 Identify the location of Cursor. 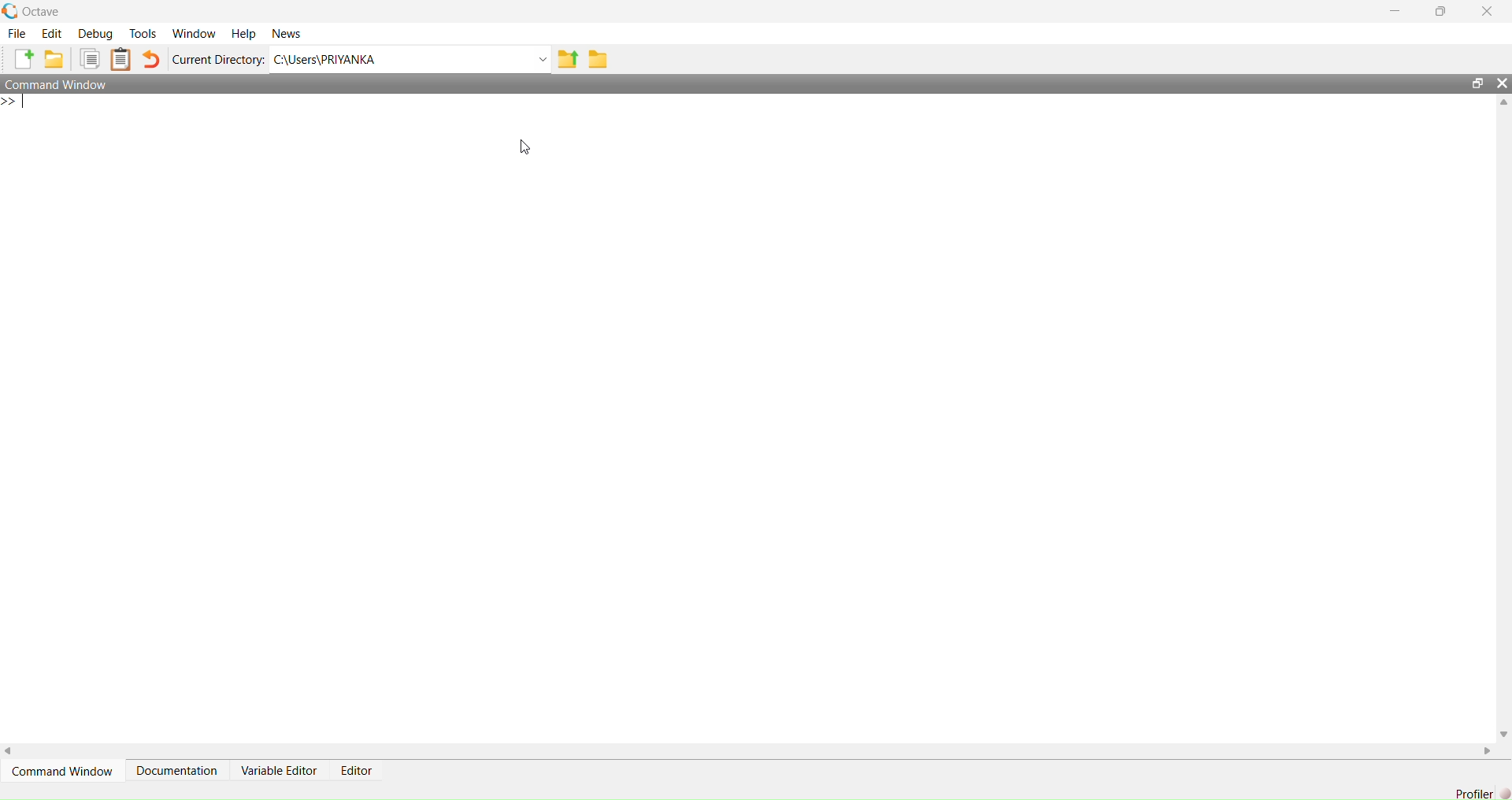
(526, 146).